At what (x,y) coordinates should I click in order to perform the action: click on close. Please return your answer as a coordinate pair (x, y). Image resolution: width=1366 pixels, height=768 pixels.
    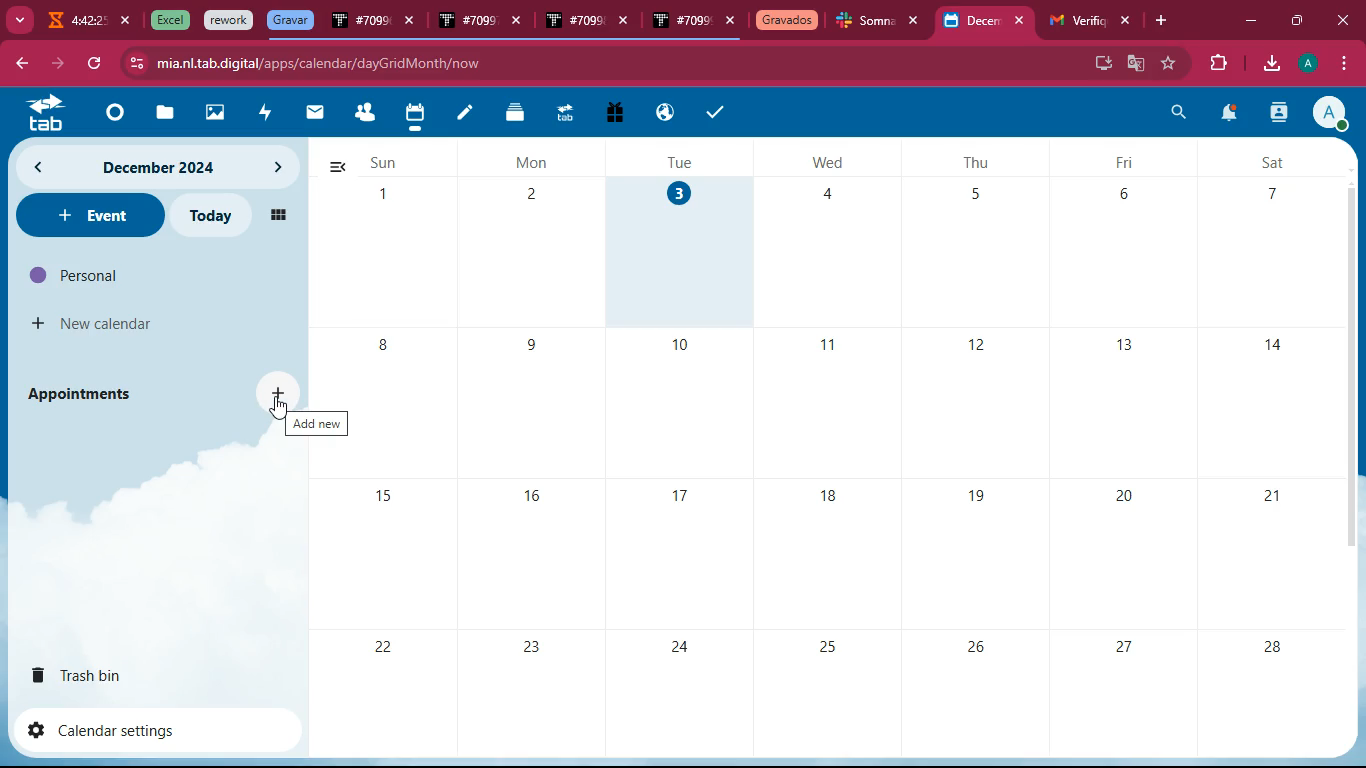
    Looking at the image, I should click on (1347, 20).